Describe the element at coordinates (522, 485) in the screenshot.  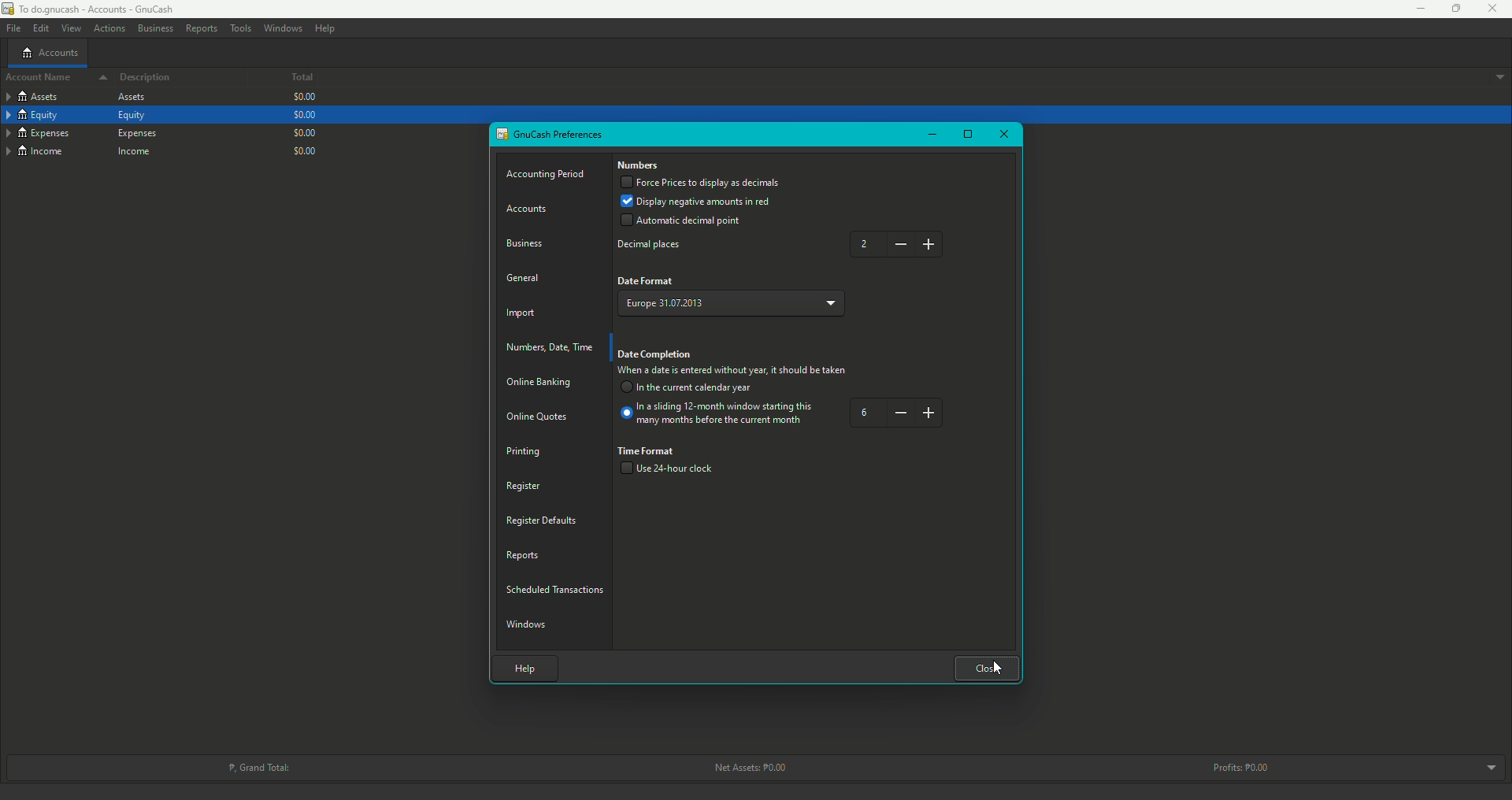
I see `Register` at that location.